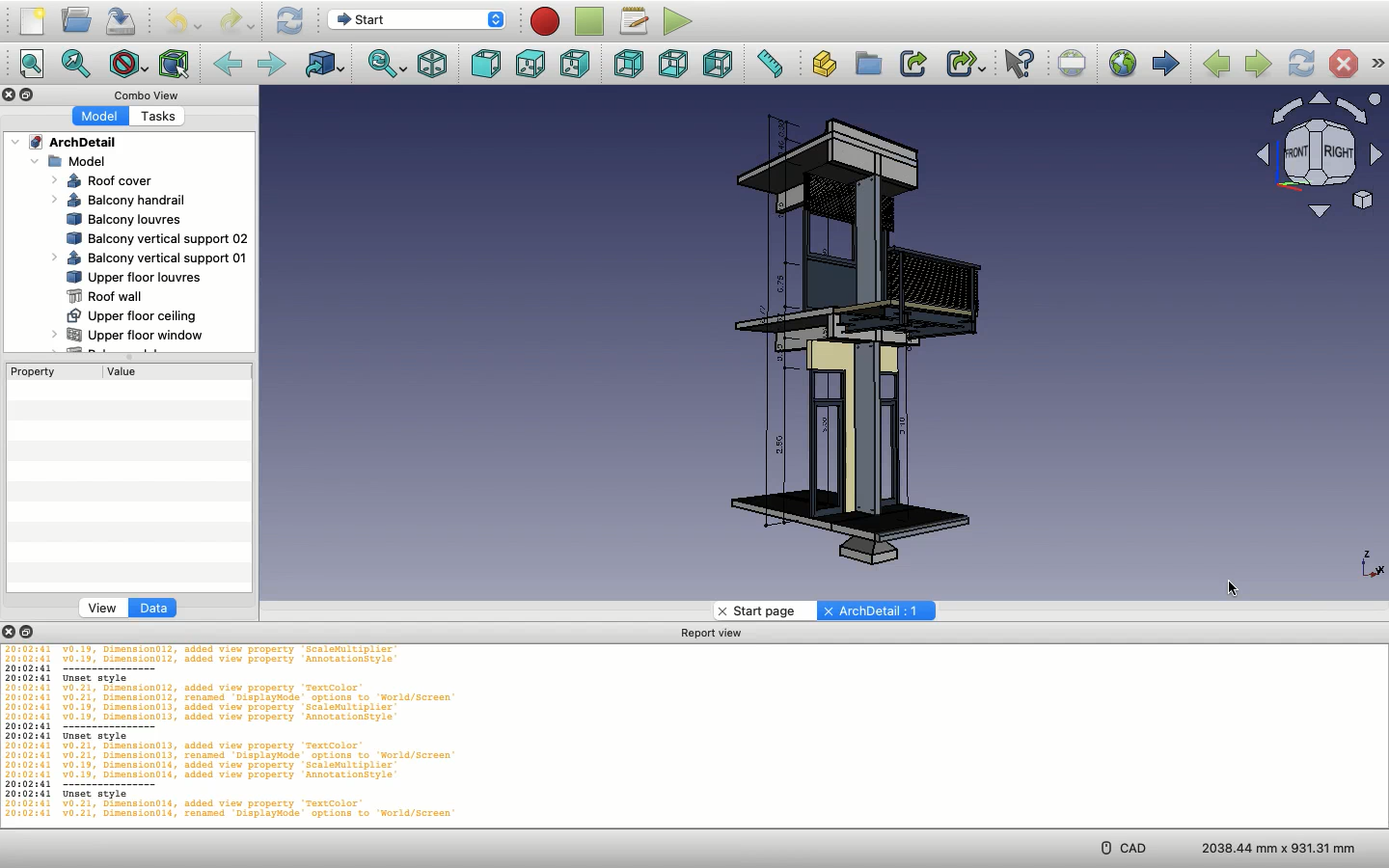  Describe the element at coordinates (172, 64) in the screenshot. I see `Bounding box` at that location.